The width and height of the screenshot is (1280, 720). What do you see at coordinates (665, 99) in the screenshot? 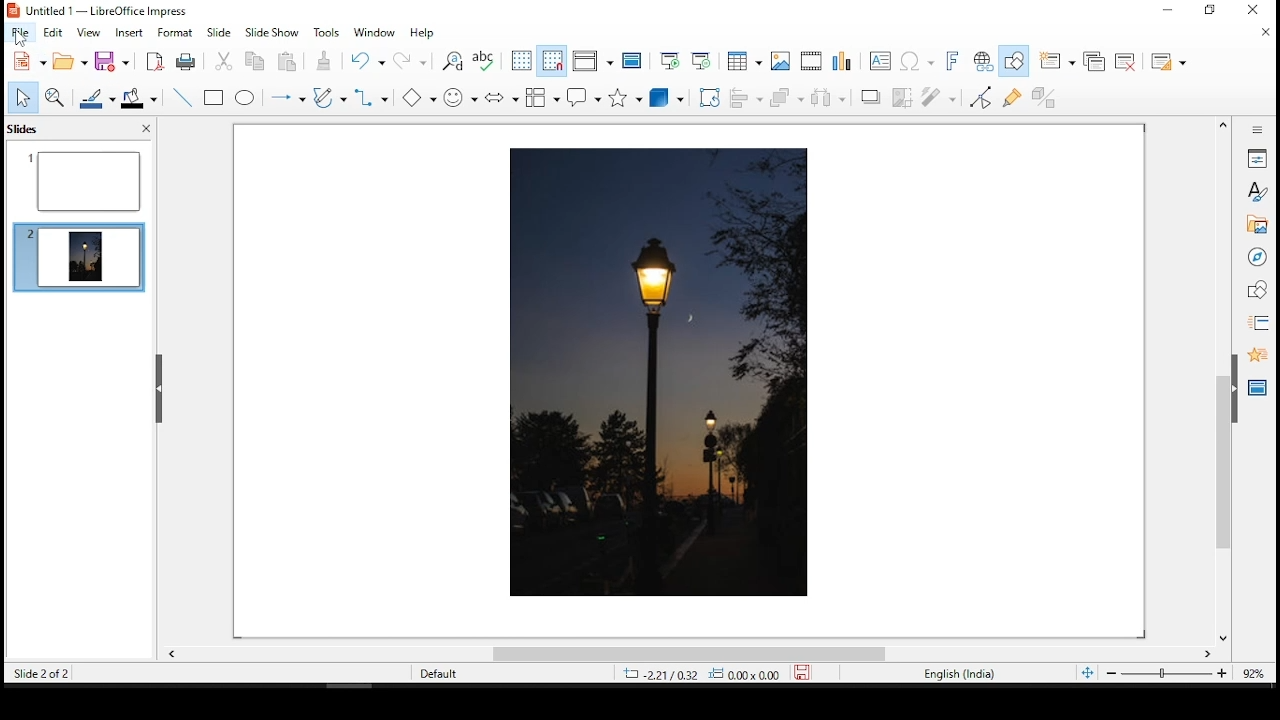
I see `3D objects` at bounding box center [665, 99].